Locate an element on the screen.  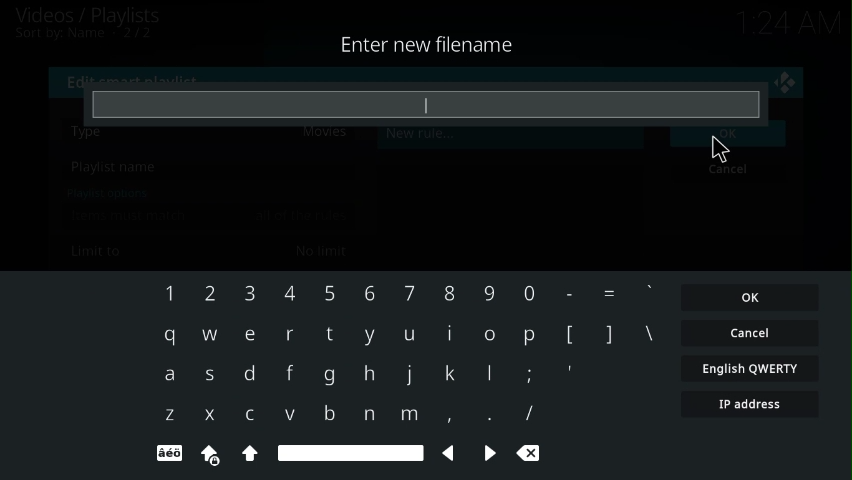
x is located at coordinates (209, 413).